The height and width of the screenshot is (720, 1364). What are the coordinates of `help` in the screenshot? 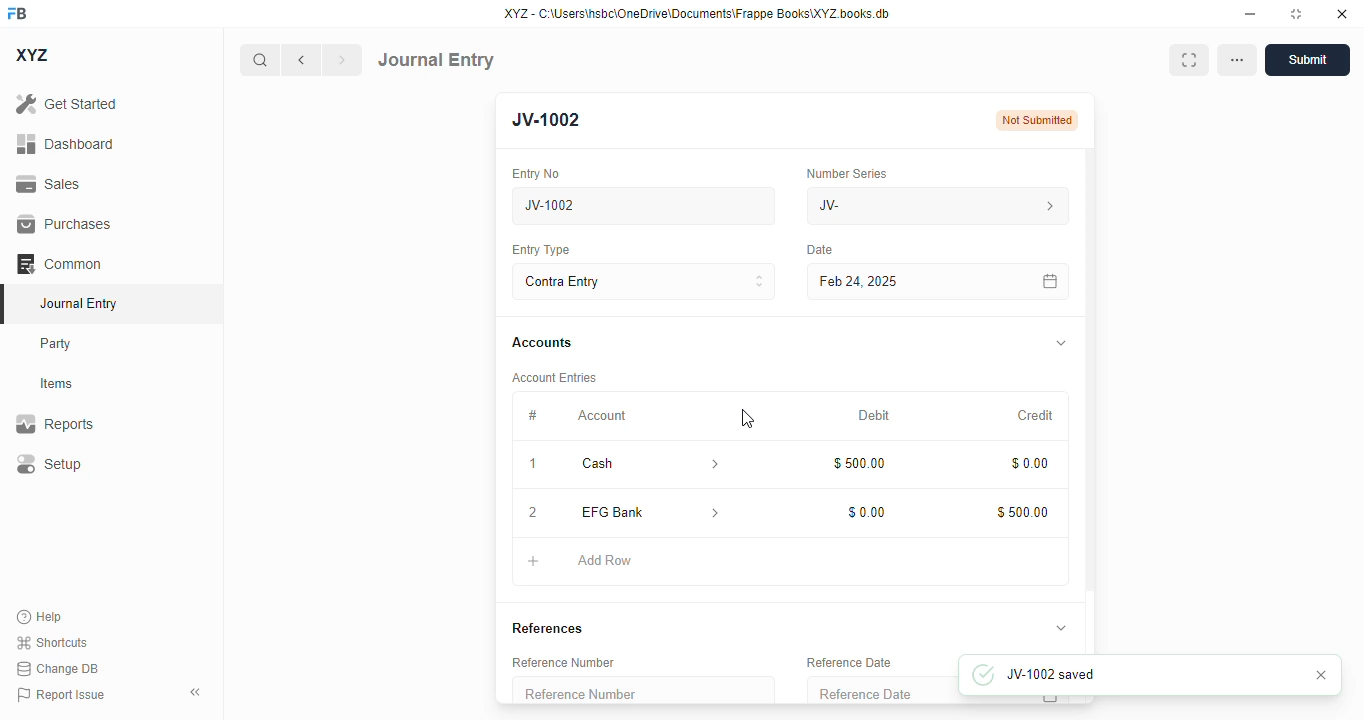 It's located at (40, 617).